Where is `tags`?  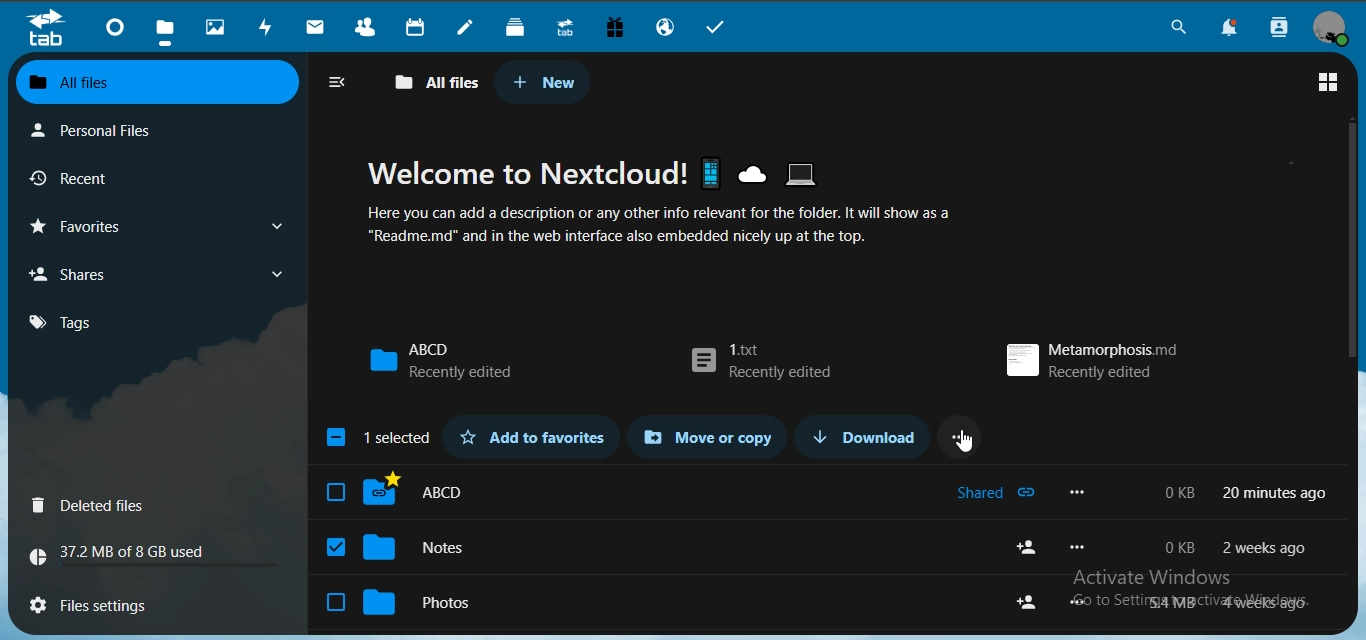 tags is located at coordinates (86, 322).